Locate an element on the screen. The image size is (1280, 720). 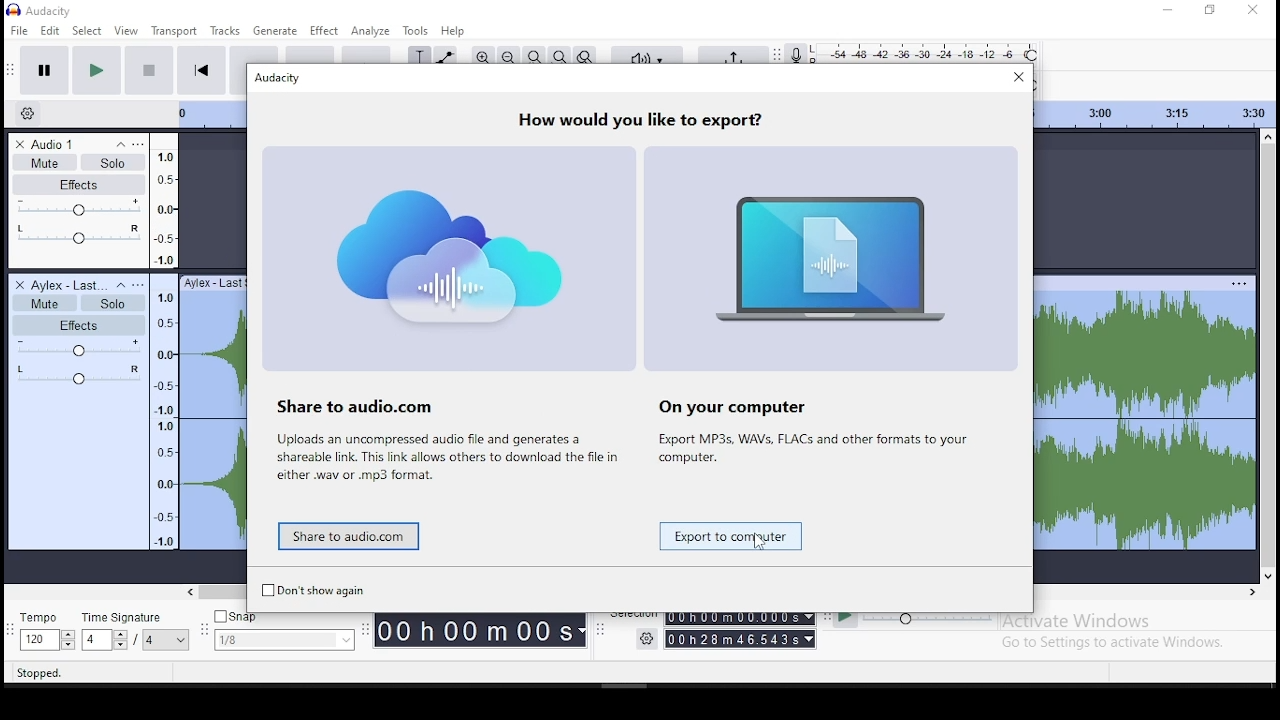
analyze is located at coordinates (369, 31).